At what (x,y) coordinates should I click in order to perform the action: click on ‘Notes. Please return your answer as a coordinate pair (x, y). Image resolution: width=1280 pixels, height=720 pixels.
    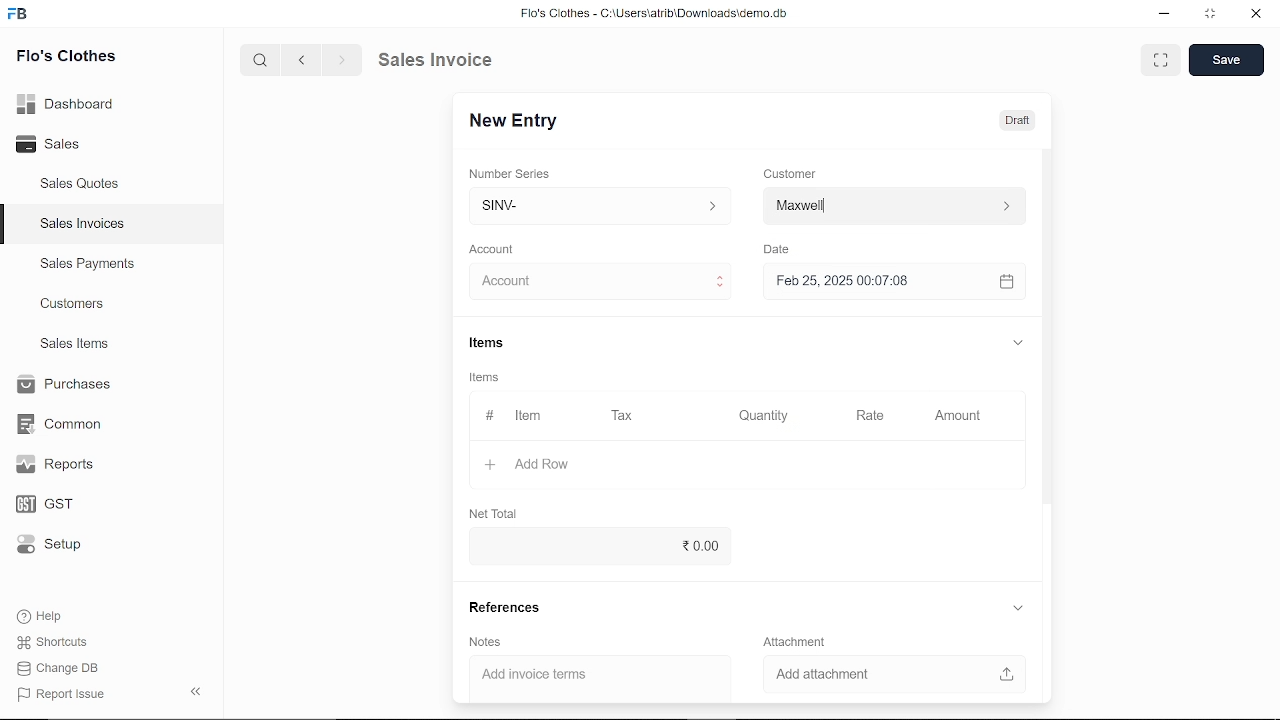
    Looking at the image, I should click on (489, 642).